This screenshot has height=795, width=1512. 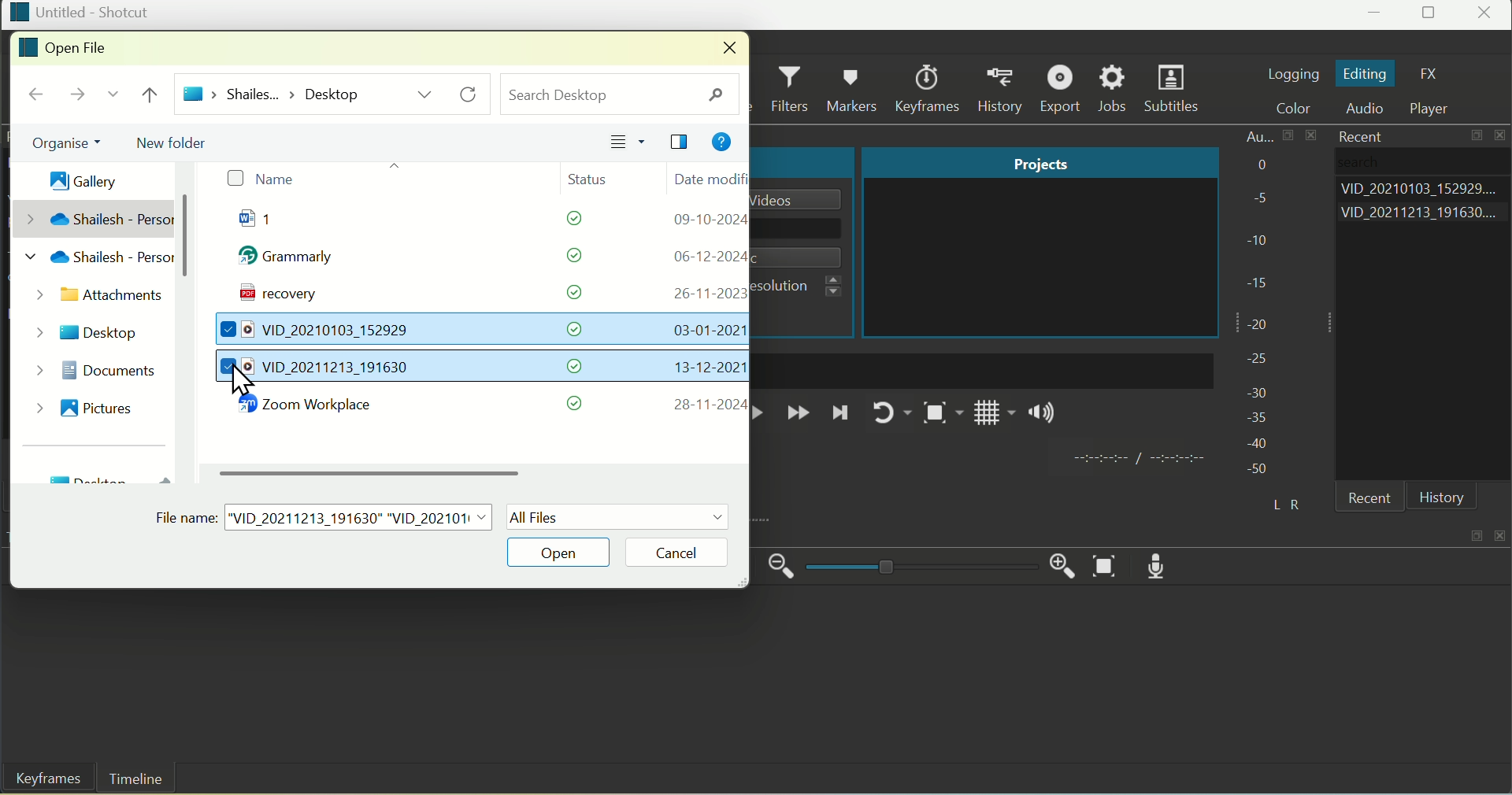 I want to click on more options, so click(x=425, y=94).